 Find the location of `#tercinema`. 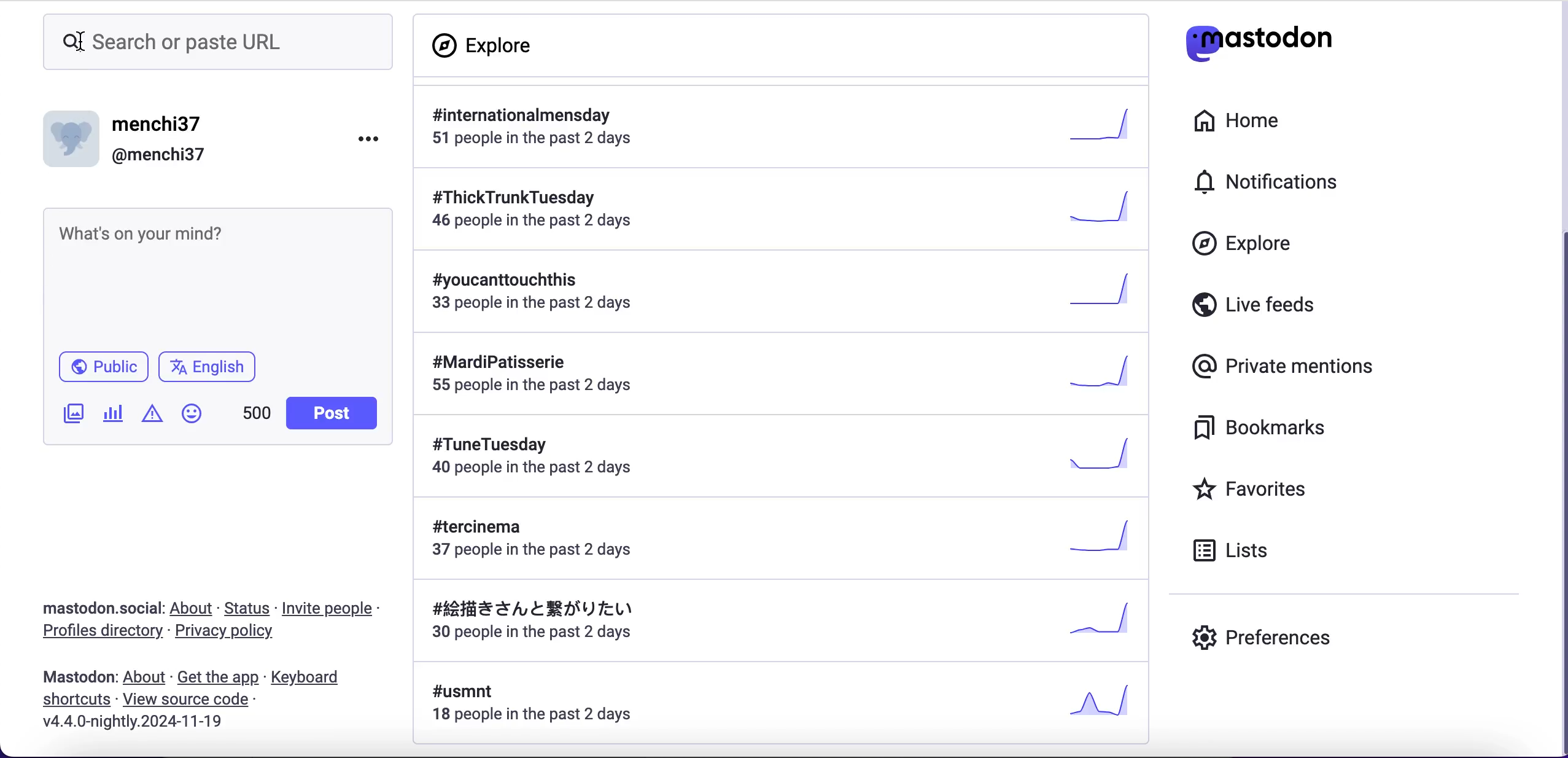

#tercinema is located at coordinates (778, 539).